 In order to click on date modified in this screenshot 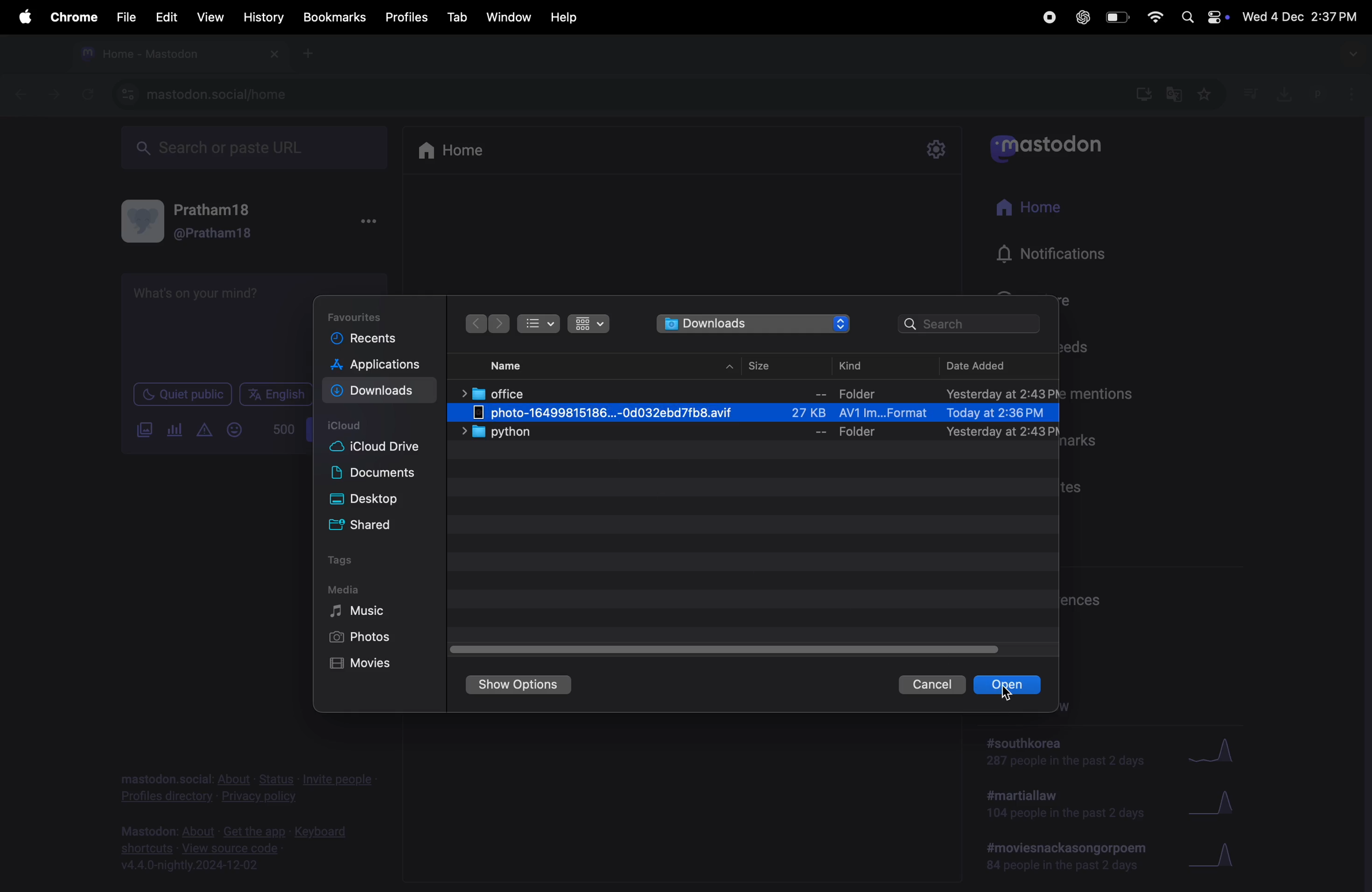, I will do `click(992, 366)`.